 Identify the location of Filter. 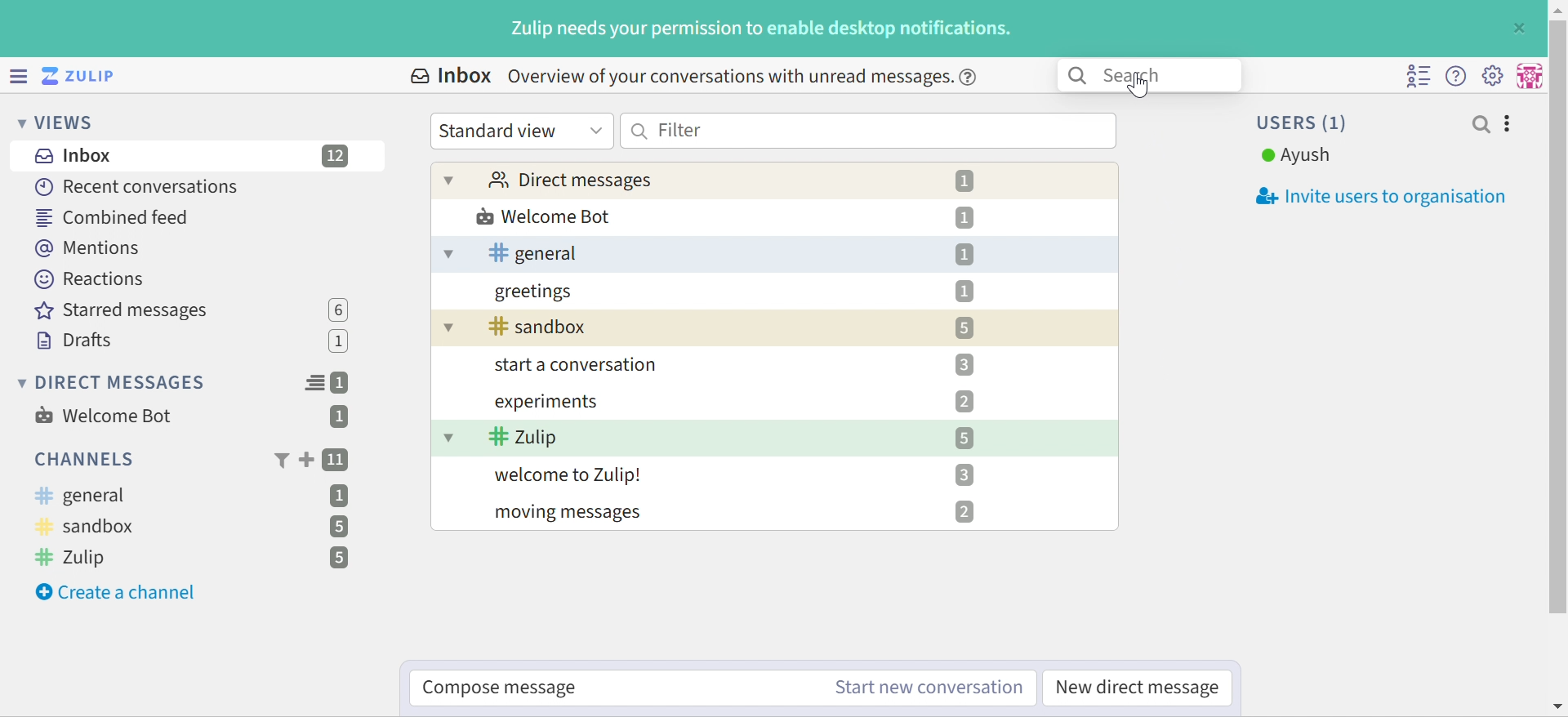
(868, 131).